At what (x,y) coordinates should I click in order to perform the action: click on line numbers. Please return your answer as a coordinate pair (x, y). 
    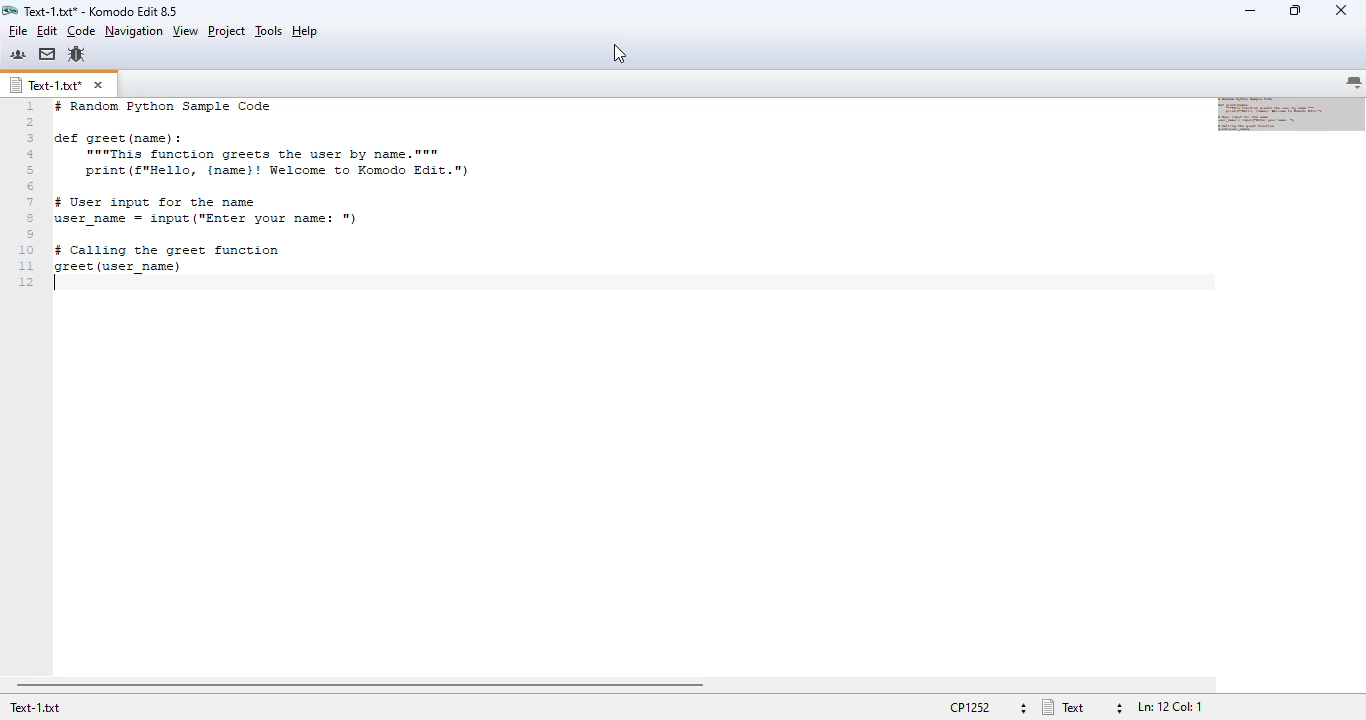
    Looking at the image, I should click on (27, 196).